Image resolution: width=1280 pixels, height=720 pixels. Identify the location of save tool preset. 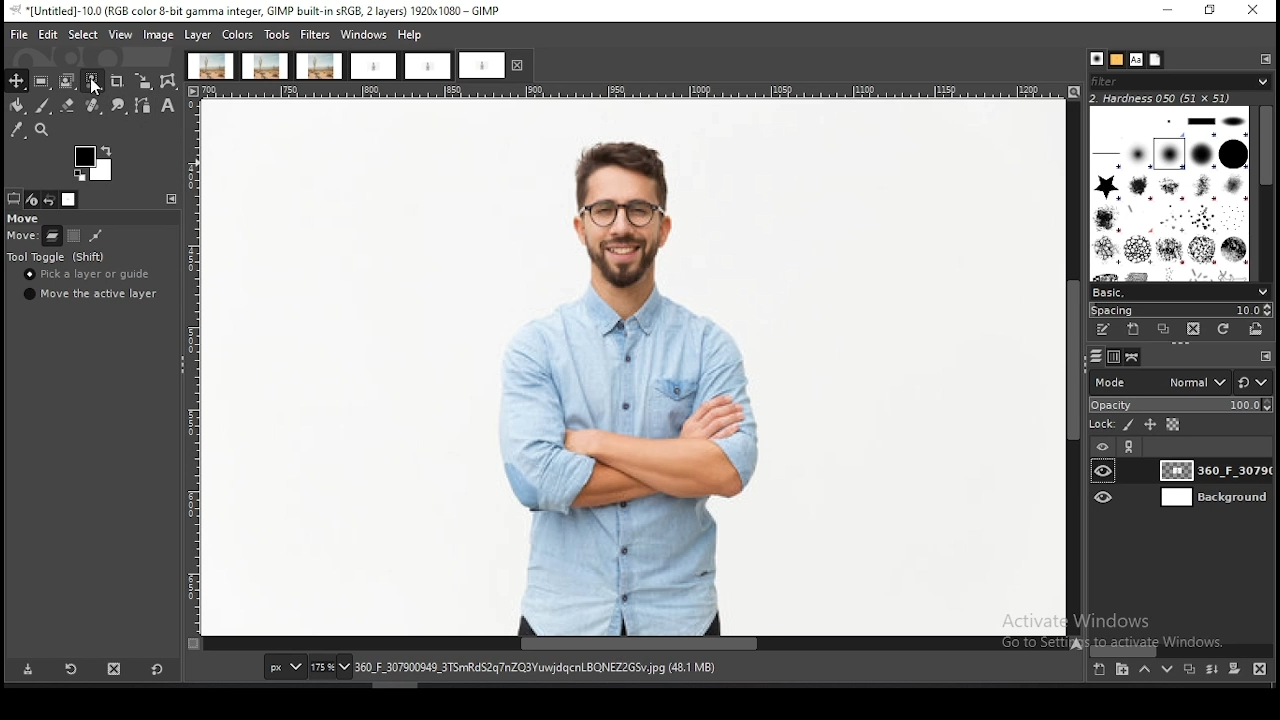
(27, 669).